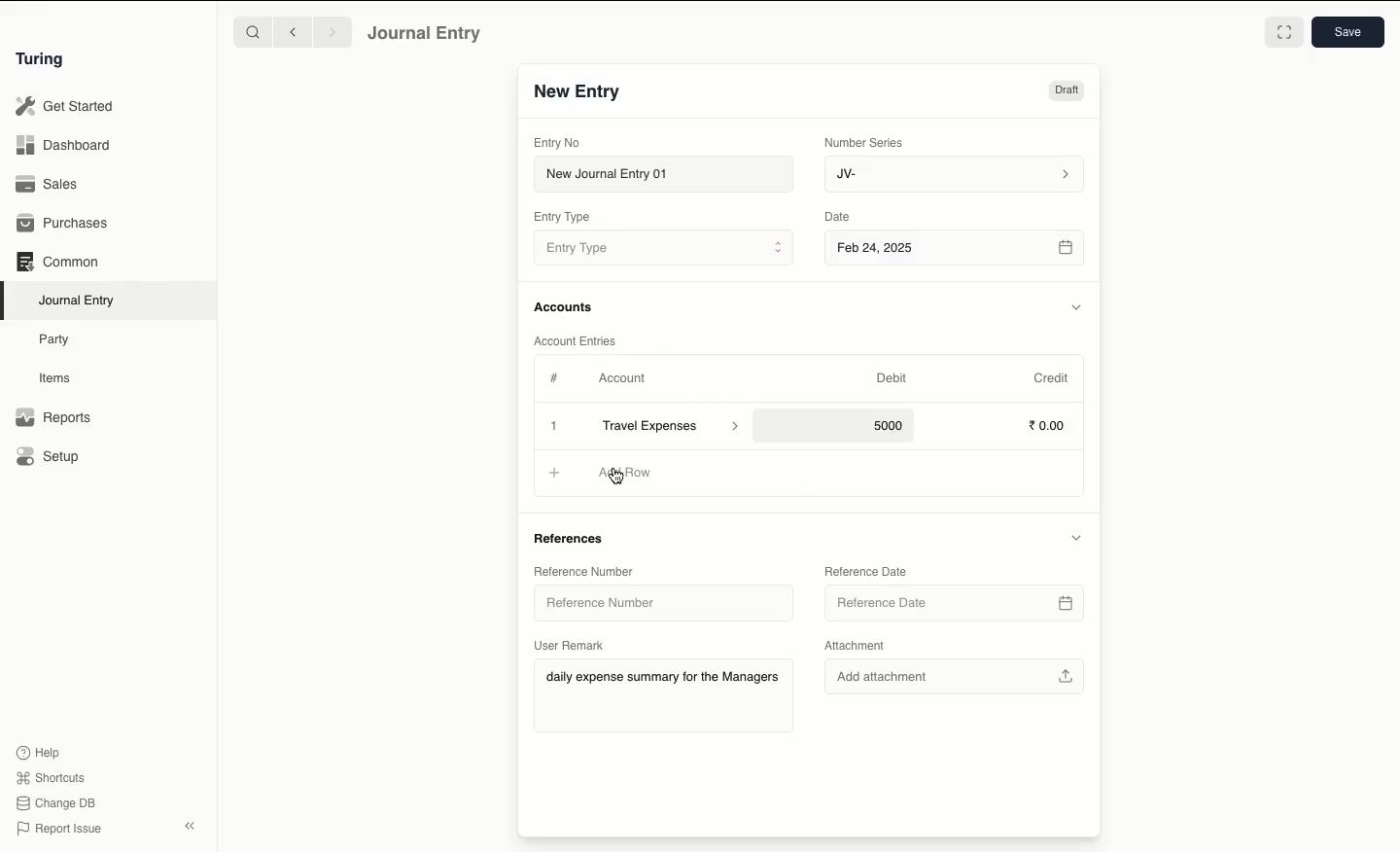 Image resolution: width=1400 pixels, height=852 pixels. What do you see at coordinates (1284, 32) in the screenshot?
I see `Toggle between form and full width` at bounding box center [1284, 32].